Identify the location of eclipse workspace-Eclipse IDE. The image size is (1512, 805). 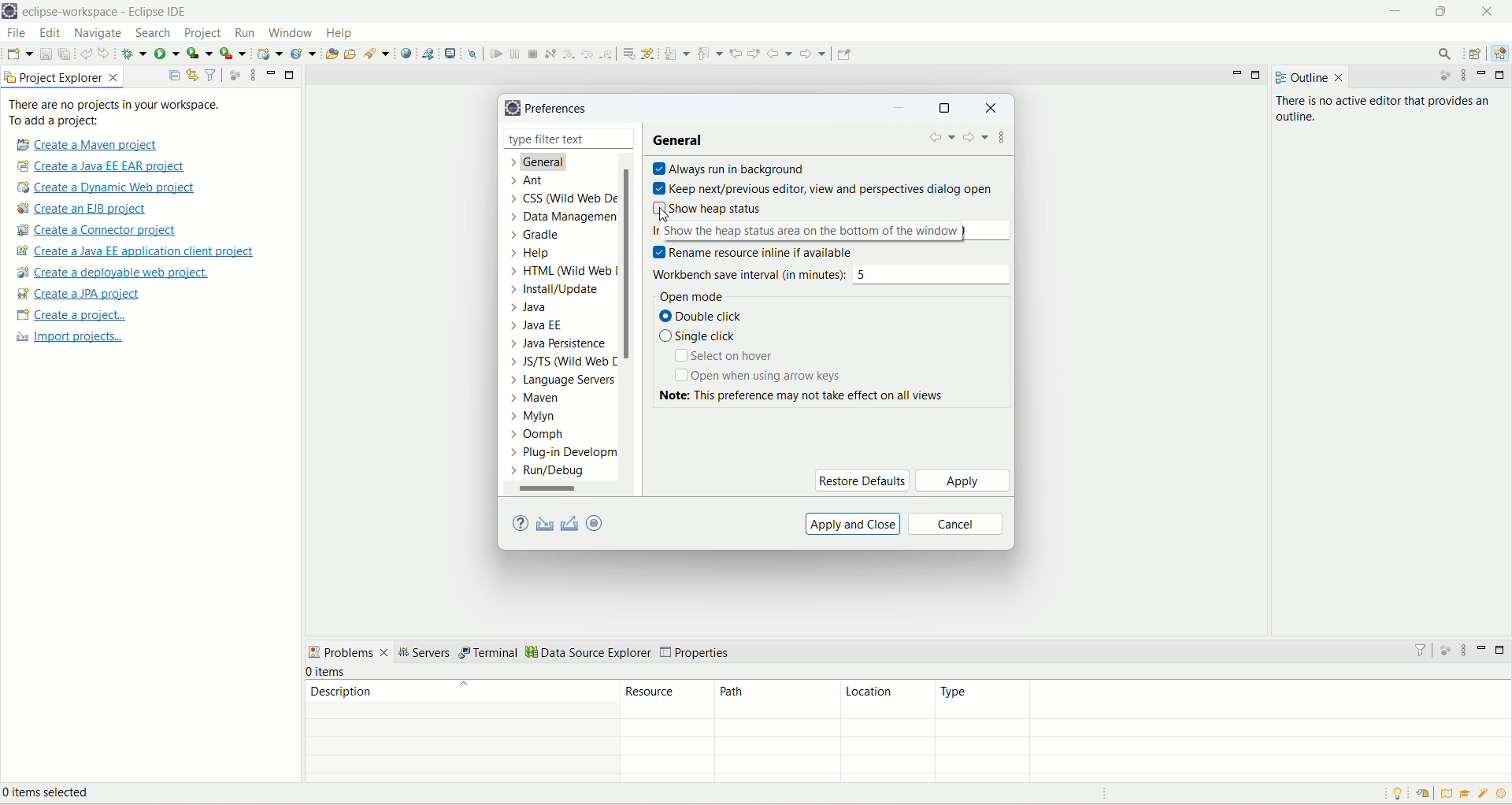
(109, 12).